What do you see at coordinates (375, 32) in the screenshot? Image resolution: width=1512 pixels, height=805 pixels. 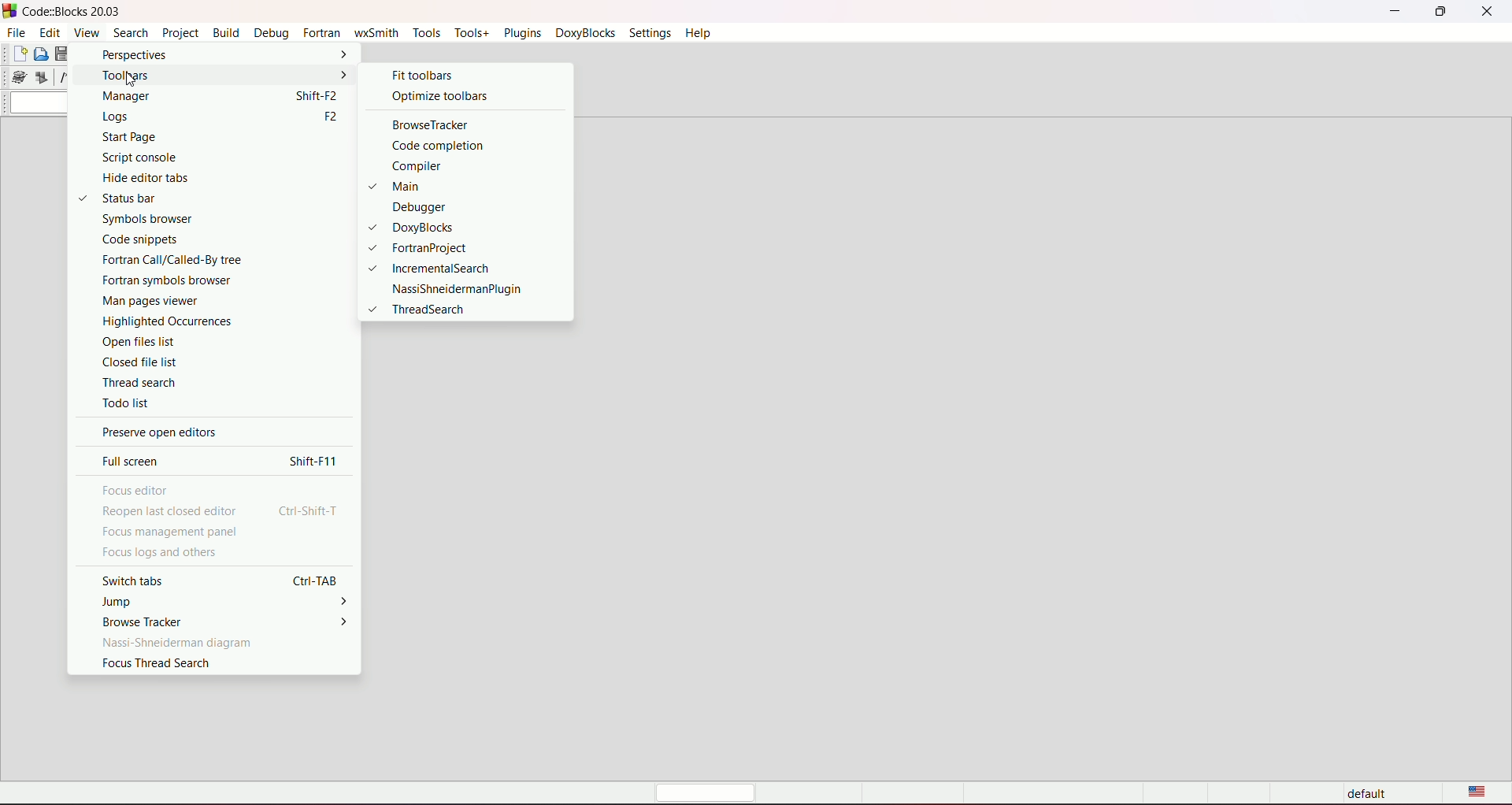 I see `wxsmith` at bounding box center [375, 32].